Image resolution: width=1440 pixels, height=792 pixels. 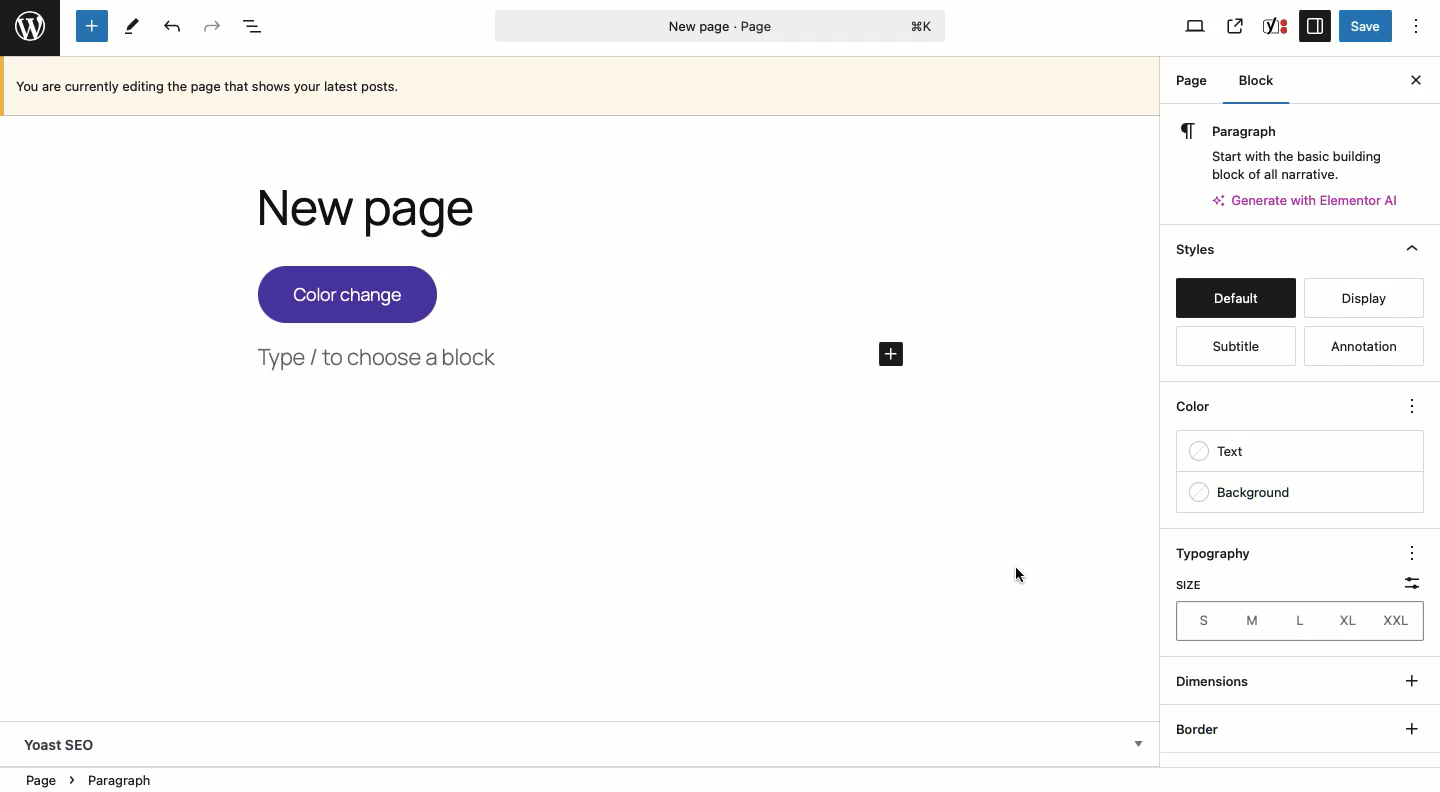 What do you see at coordinates (172, 28) in the screenshot?
I see `Undo` at bounding box center [172, 28].